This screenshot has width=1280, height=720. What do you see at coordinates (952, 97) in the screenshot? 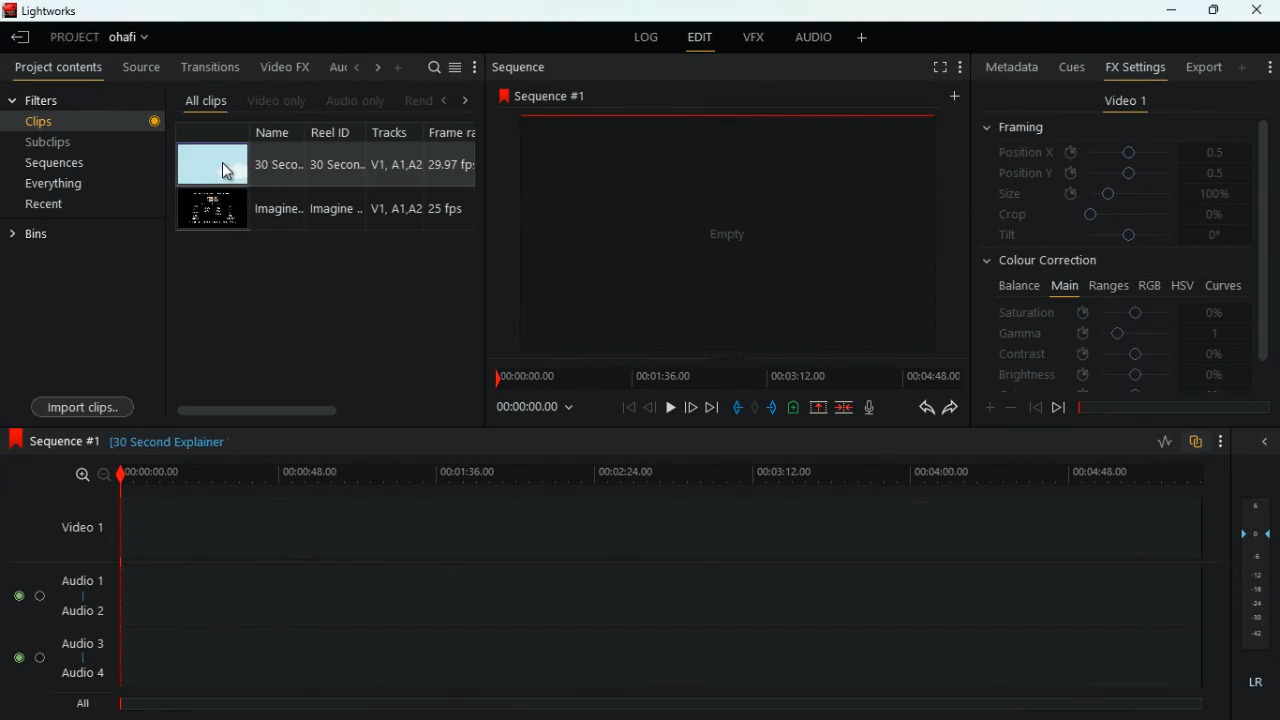
I see `add` at bounding box center [952, 97].